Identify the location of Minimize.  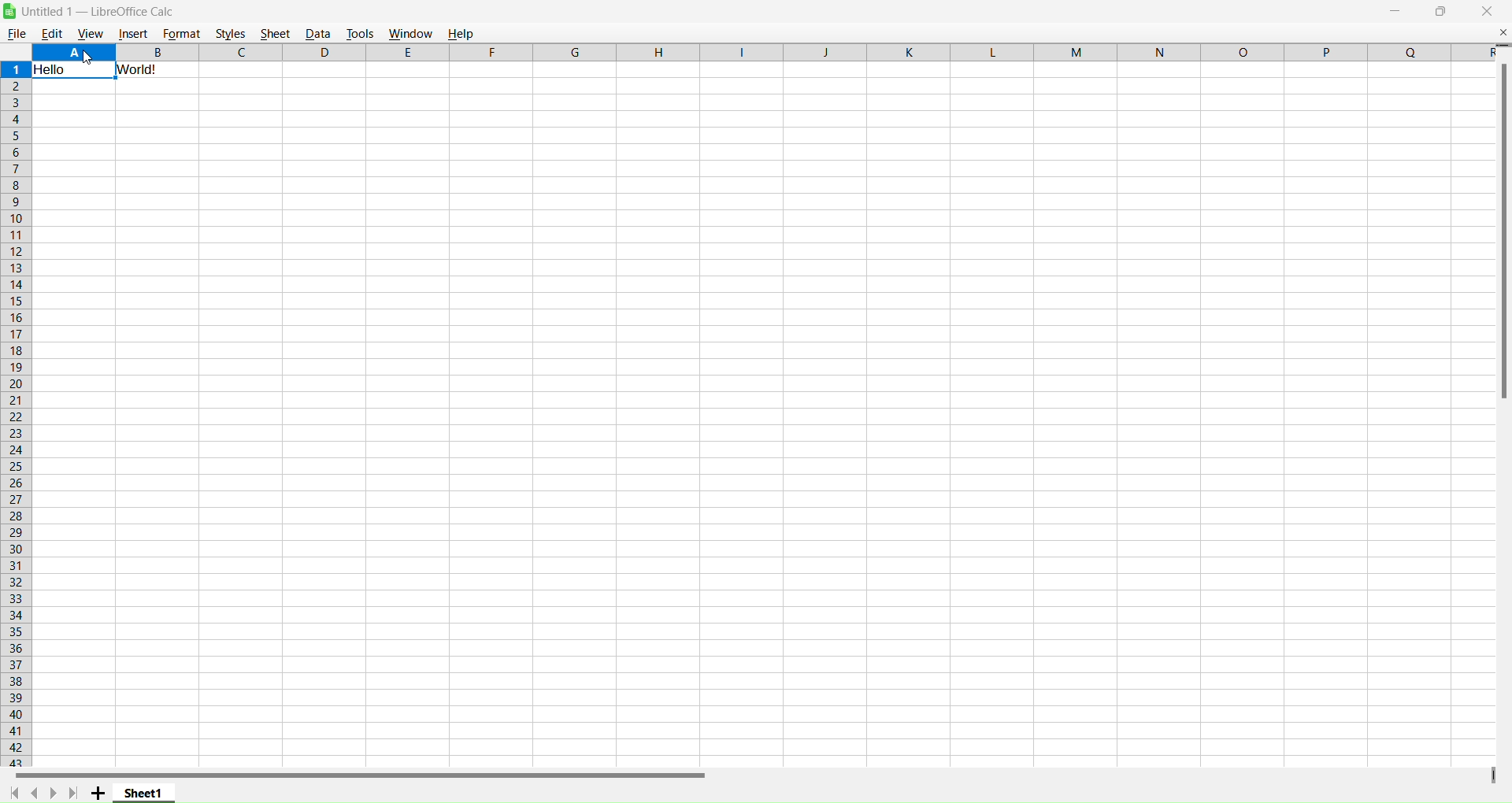
(1395, 12).